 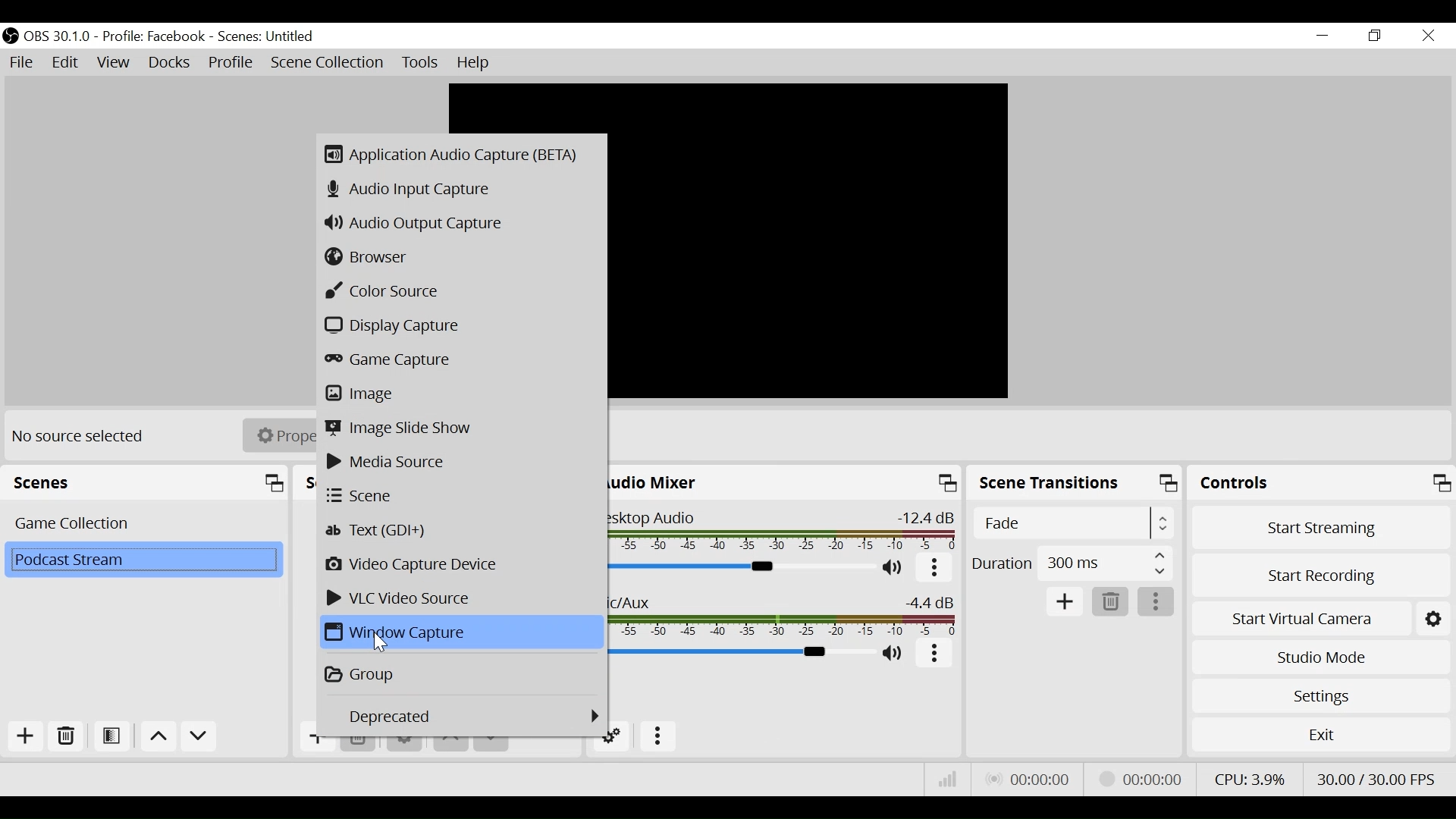 I want to click on Video Capture Device, so click(x=461, y=565).